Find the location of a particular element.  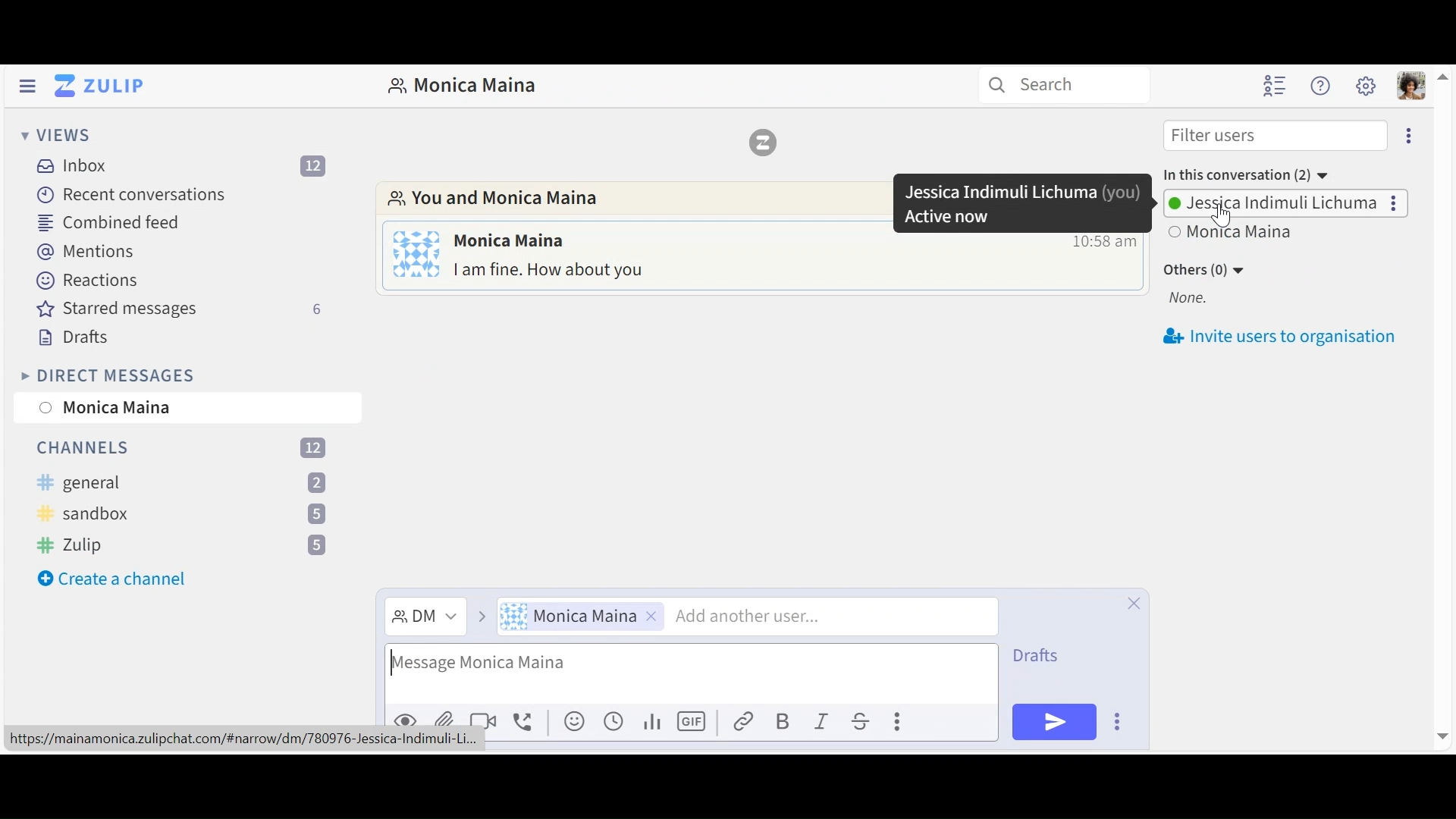

pop up is located at coordinates (1019, 202).